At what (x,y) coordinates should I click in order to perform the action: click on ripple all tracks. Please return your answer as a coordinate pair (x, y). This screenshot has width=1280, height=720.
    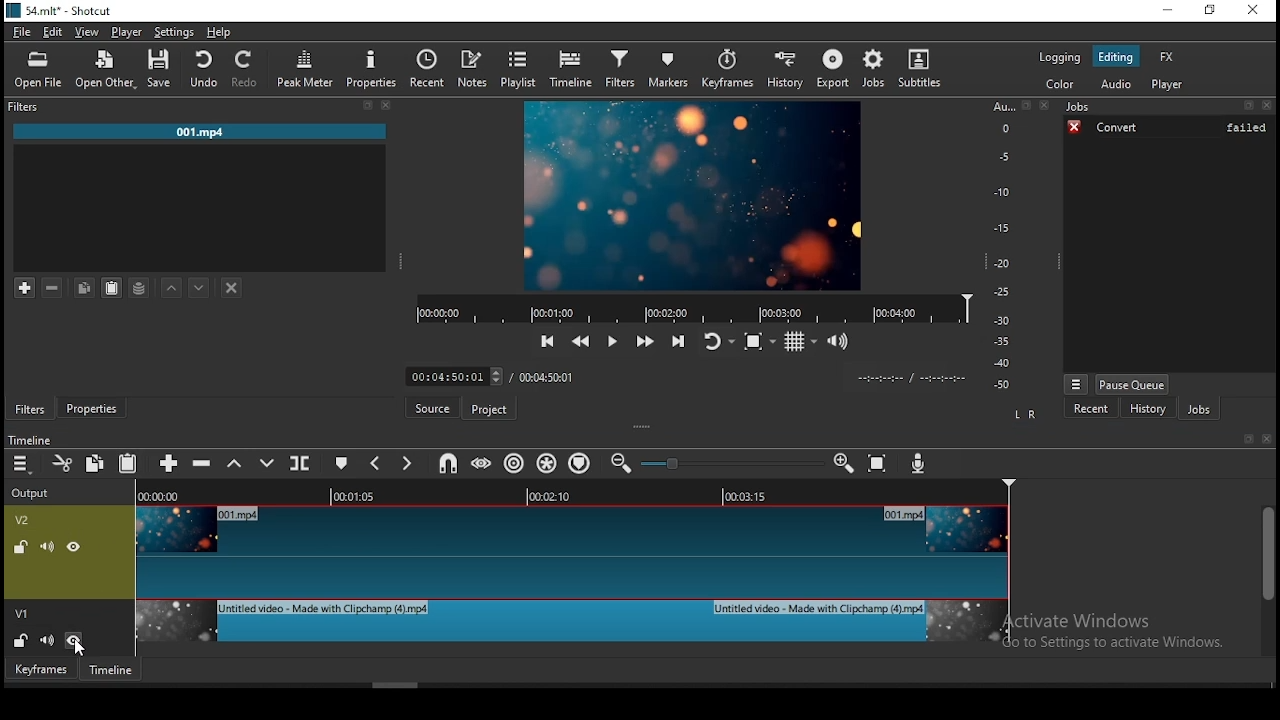
    Looking at the image, I should click on (547, 466).